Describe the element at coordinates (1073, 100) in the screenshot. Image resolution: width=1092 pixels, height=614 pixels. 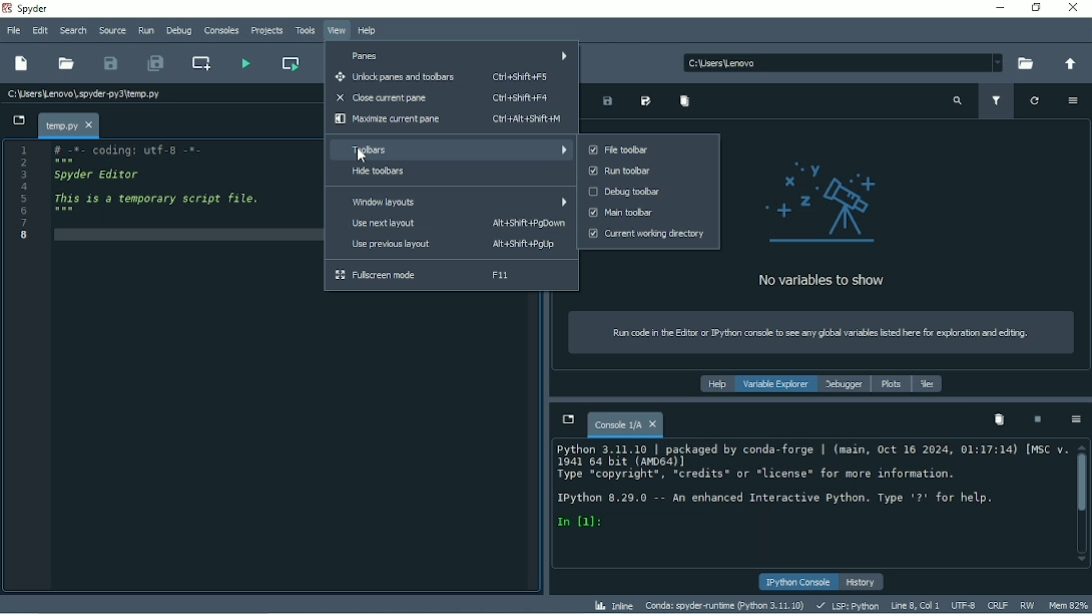
I see `Options` at that location.